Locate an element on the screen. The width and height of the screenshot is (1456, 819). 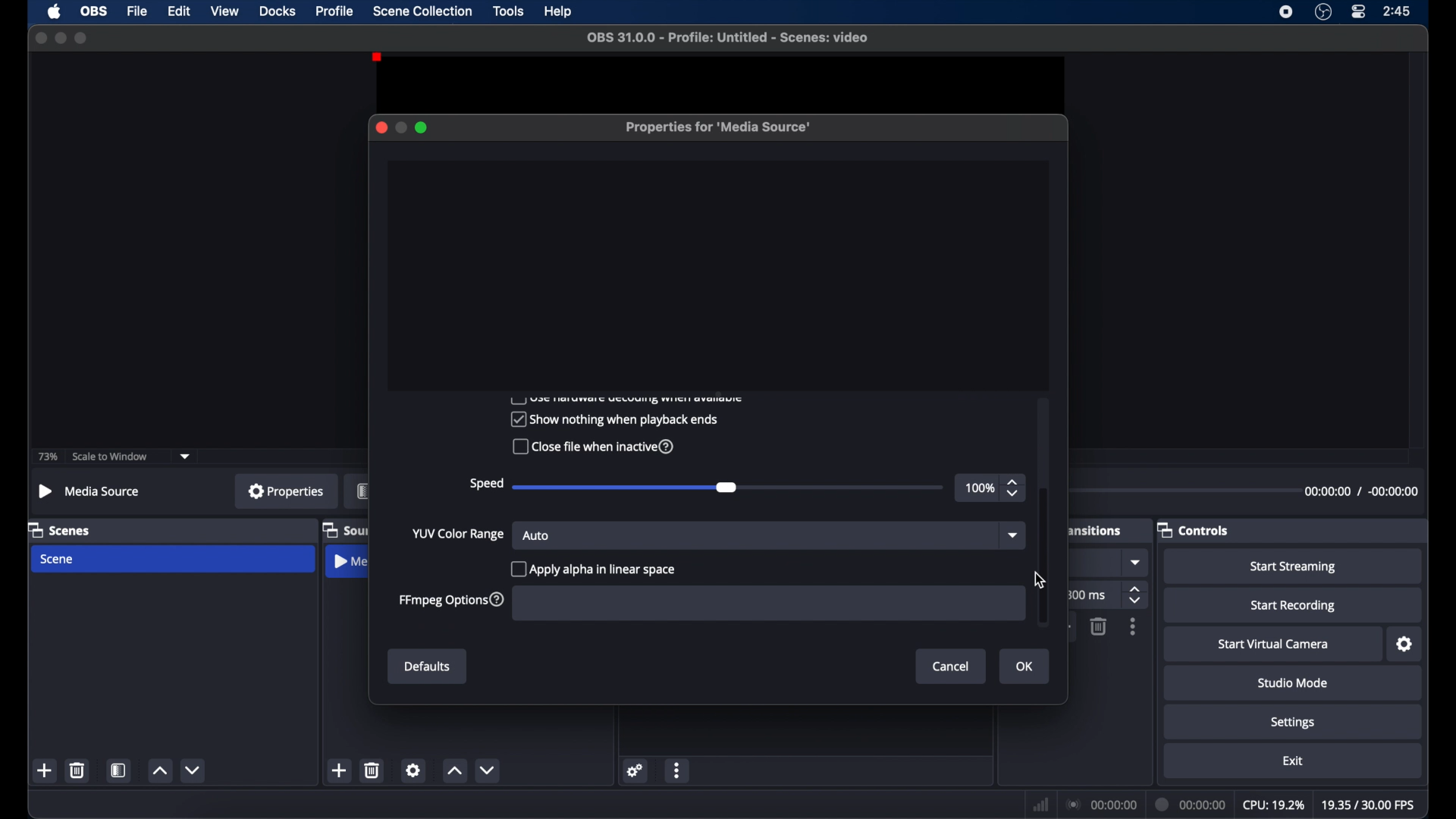
network is located at coordinates (1040, 805).